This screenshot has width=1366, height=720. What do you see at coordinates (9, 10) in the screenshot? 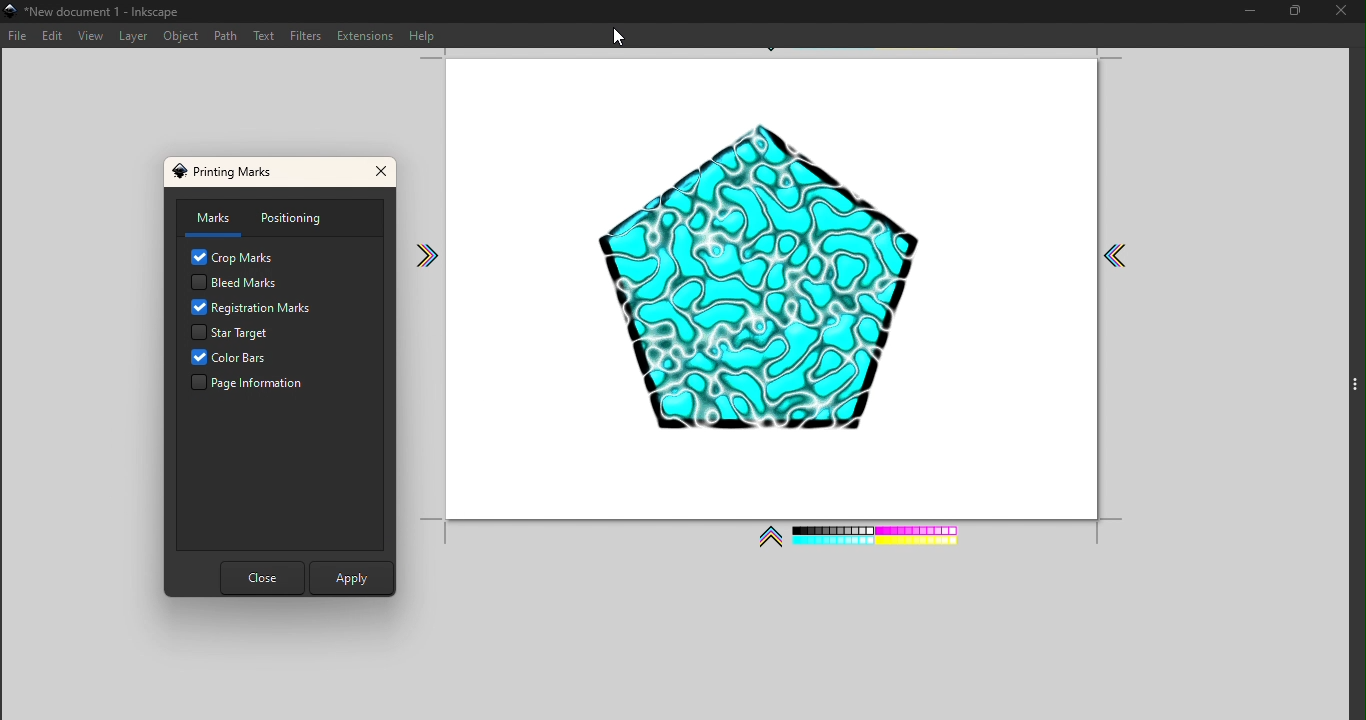
I see `app Icon` at bounding box center [9, 10].